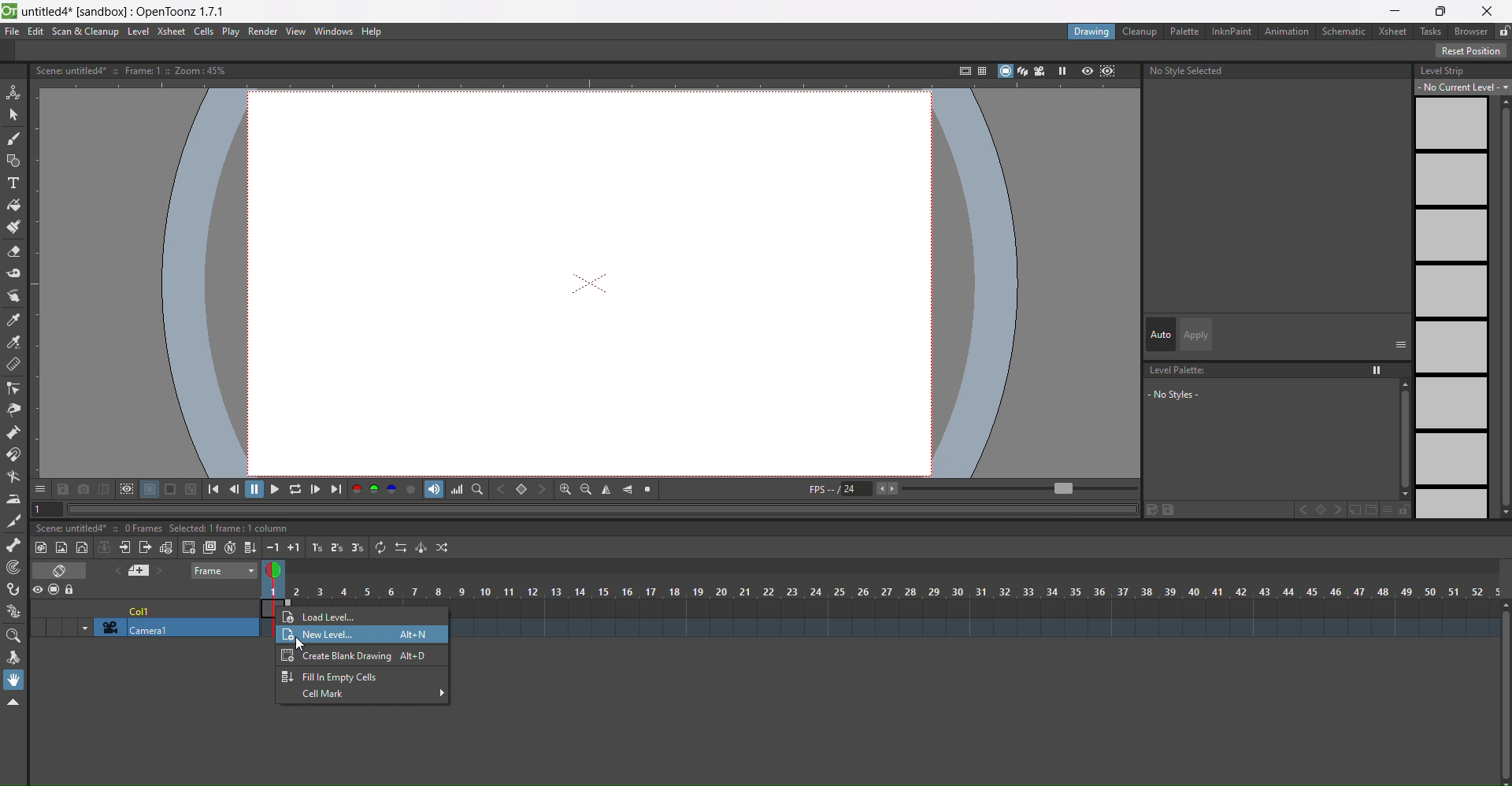 The image size is (1512, 786). I want to click on play, so click(232, 32).